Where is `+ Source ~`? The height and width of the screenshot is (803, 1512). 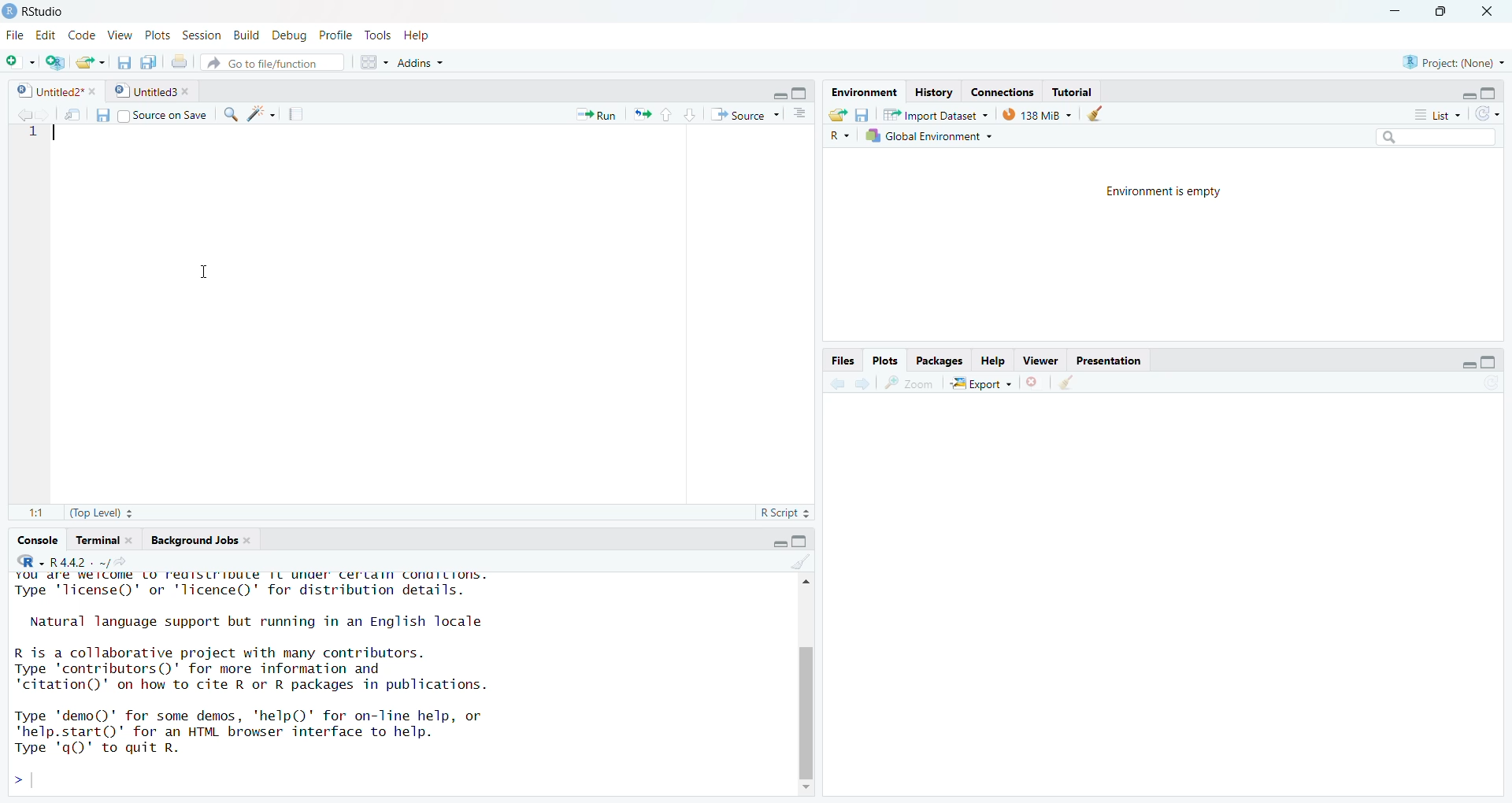
+ Source ~ is located at coordinates (743, 115).